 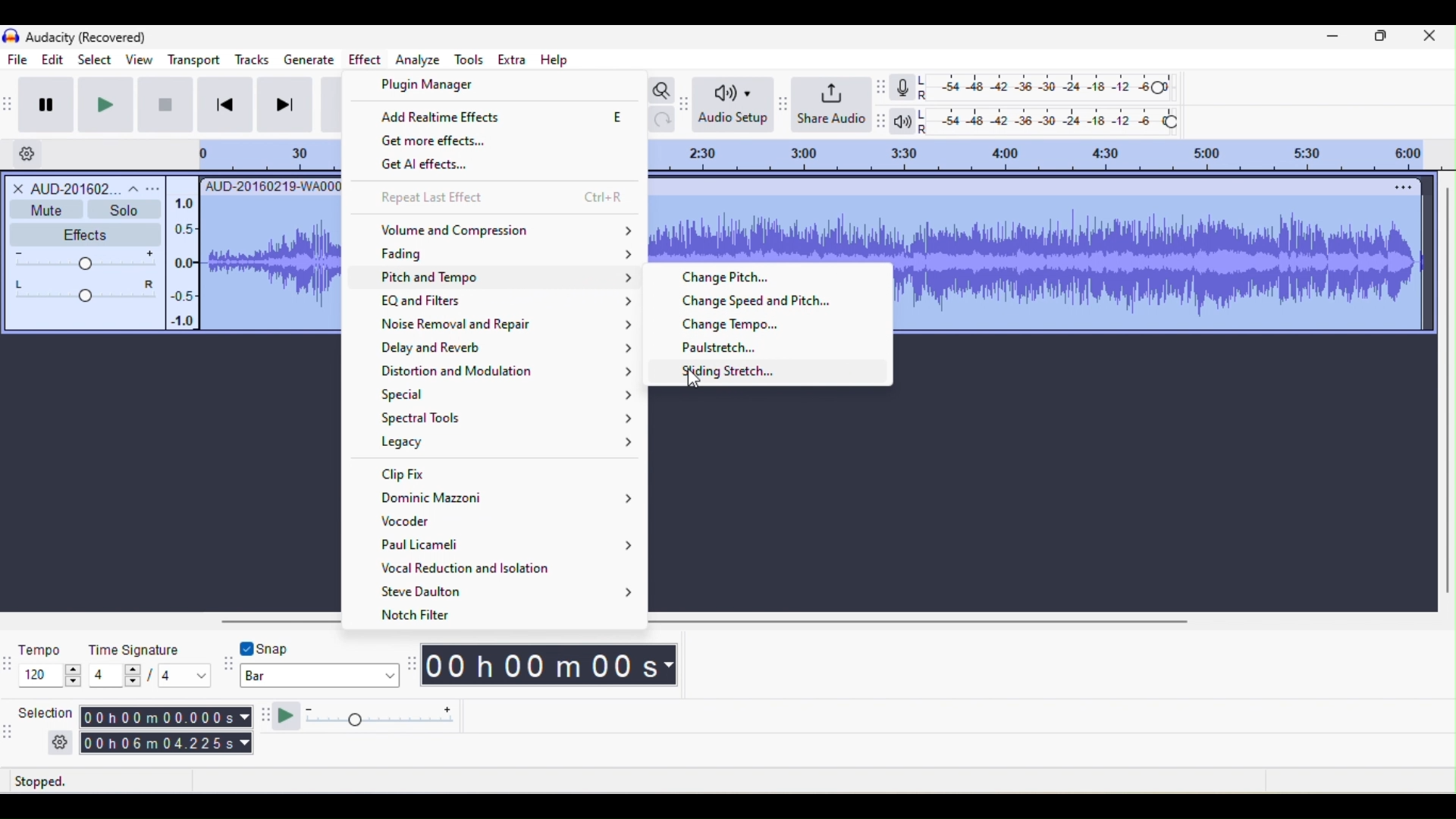 I want to click on Vcoder, so click(x=466, y=523).